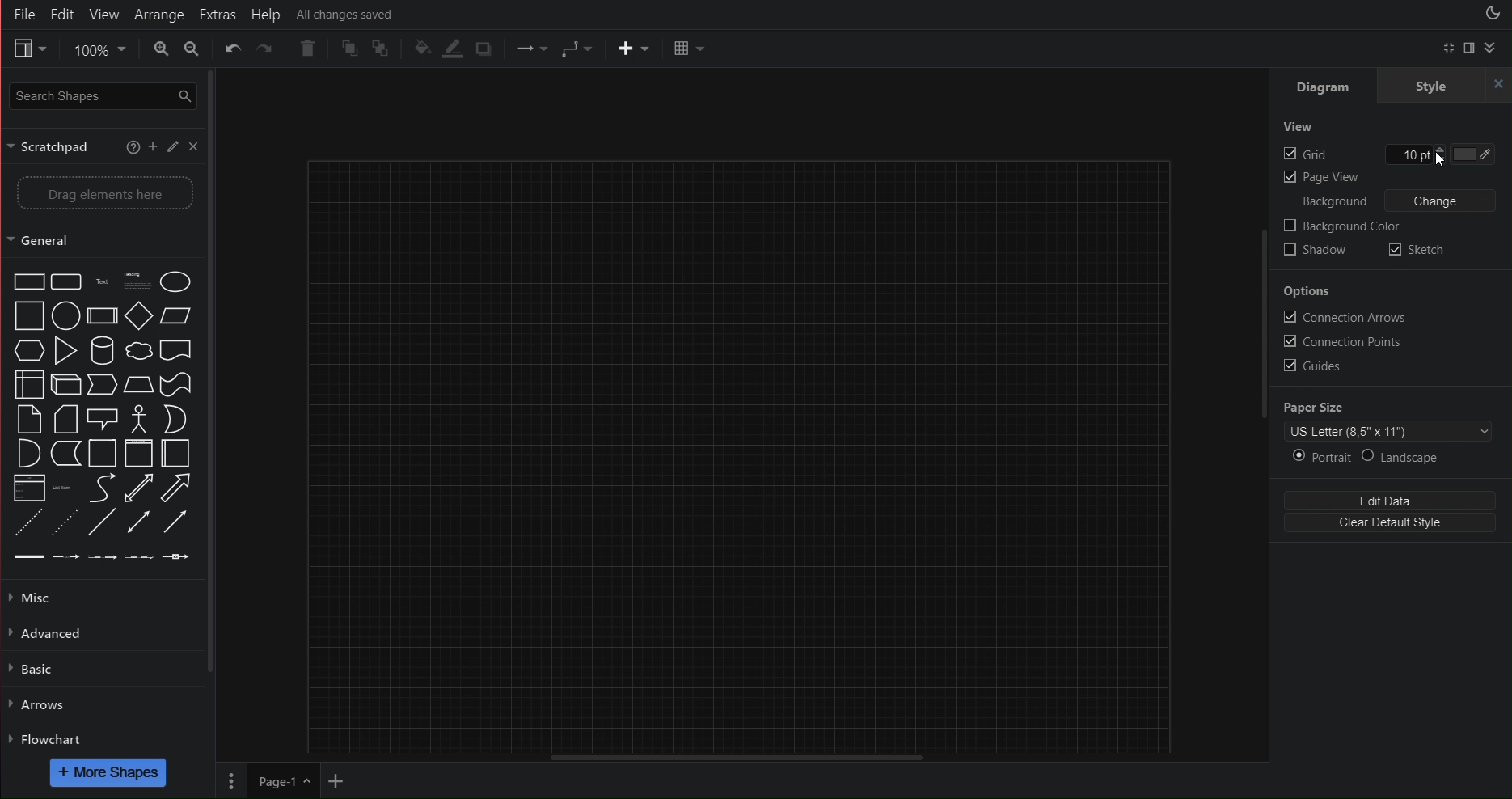 The image size is (1512, 799). Describe the element at coordinates (101, 453) in the screenshot. I see `vertical box` at that location.